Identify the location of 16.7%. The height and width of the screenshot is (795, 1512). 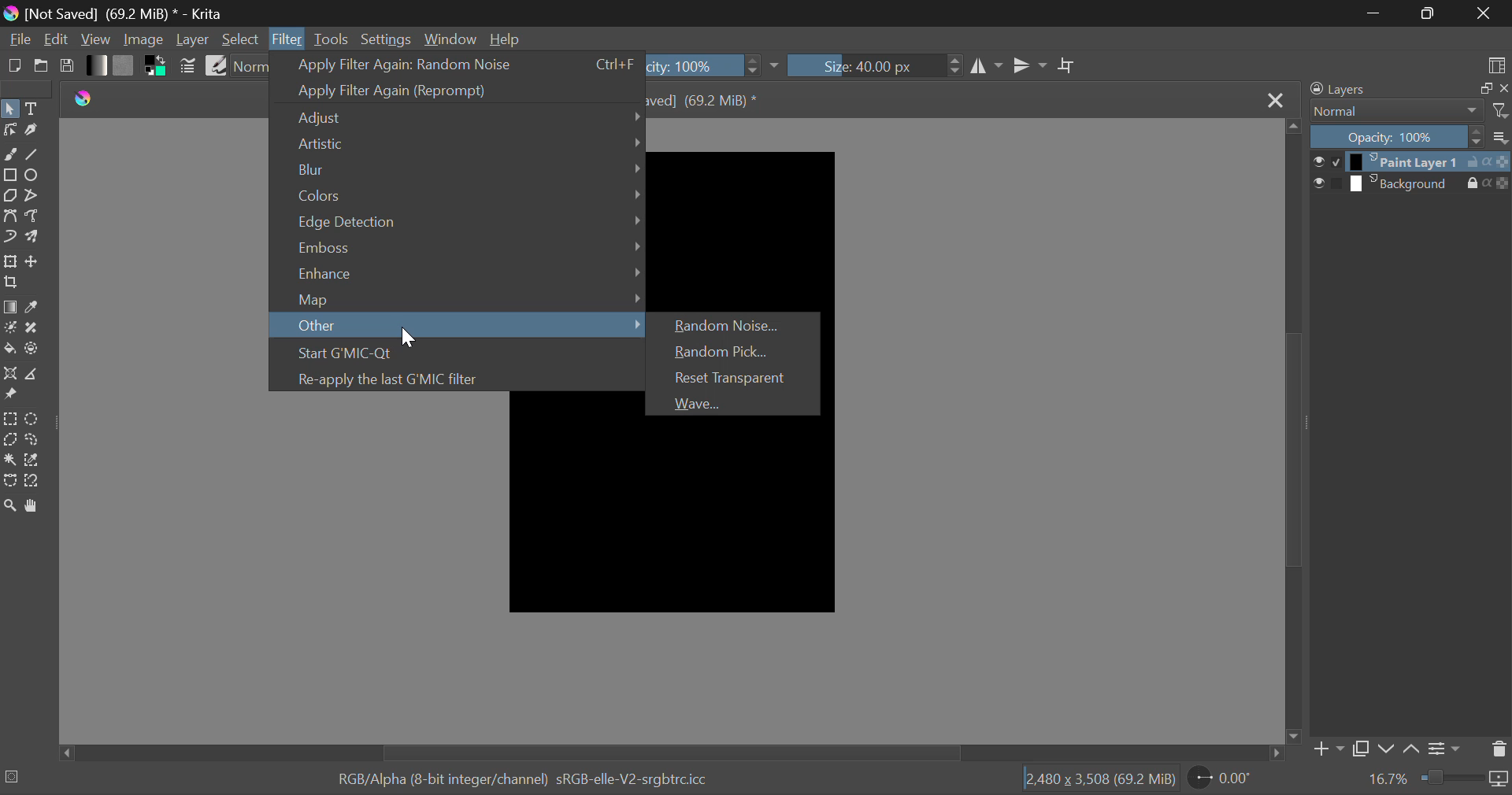
(1387, 780).